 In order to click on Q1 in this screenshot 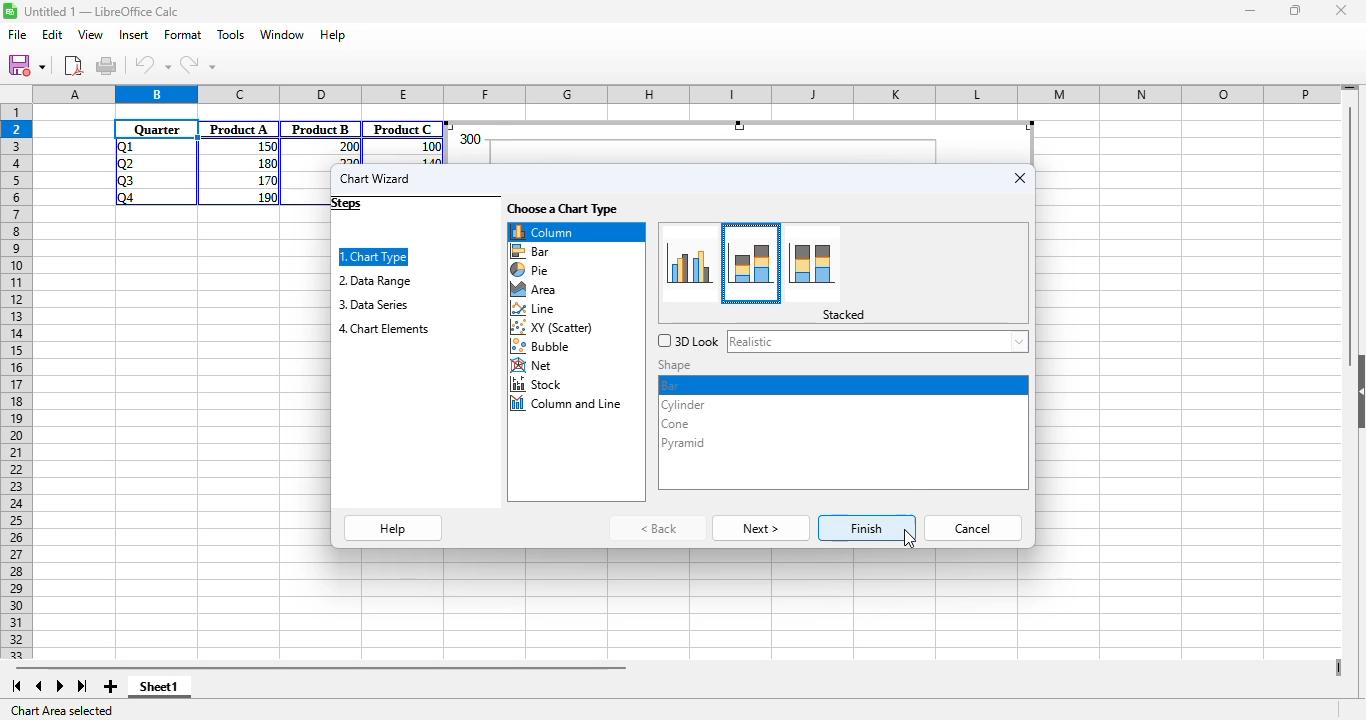, I will do `click(123, 146)`.